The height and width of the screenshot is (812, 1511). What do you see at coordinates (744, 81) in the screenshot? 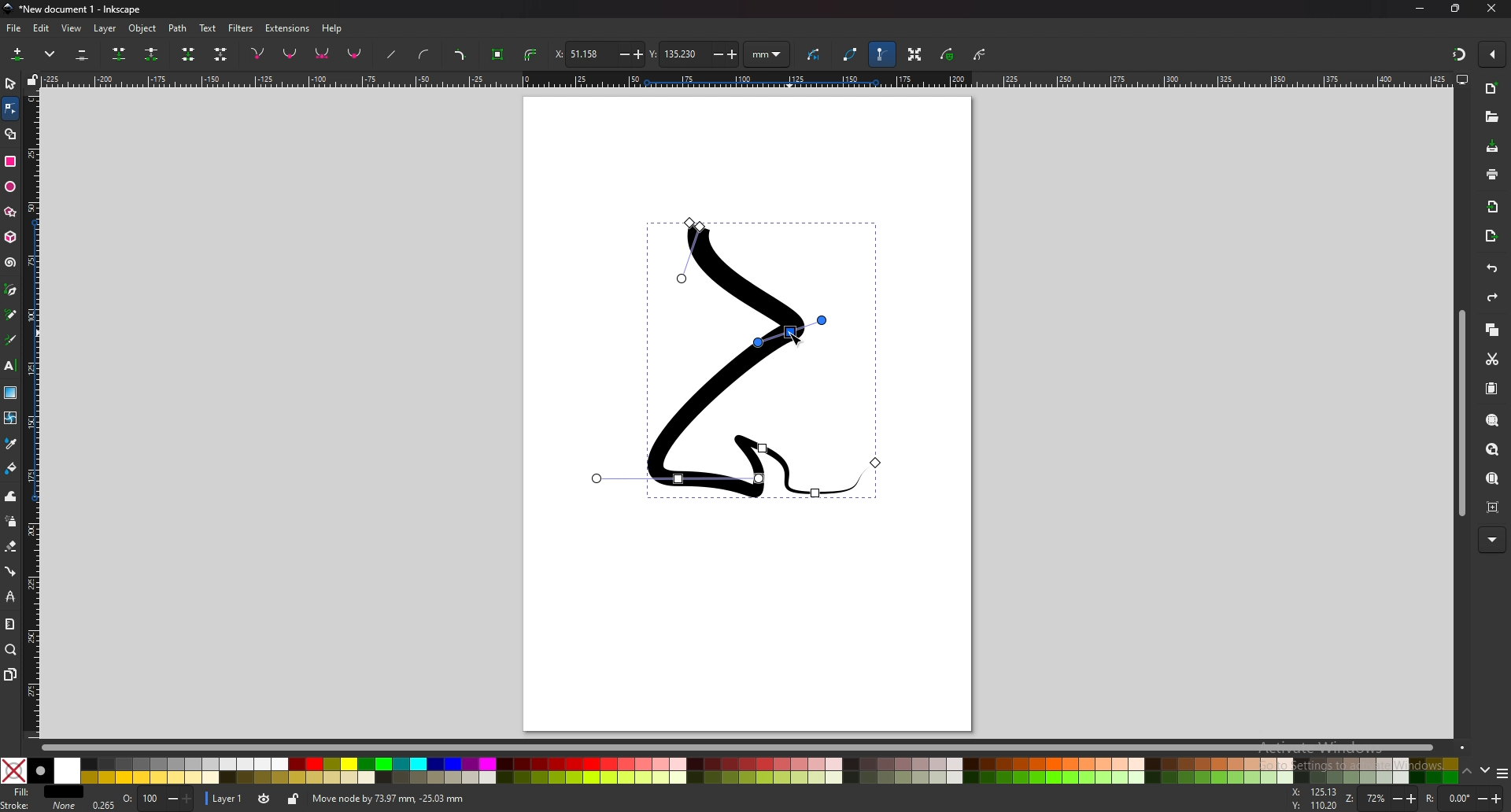
I see `horizontal scale` at bounding box center [744, 81].